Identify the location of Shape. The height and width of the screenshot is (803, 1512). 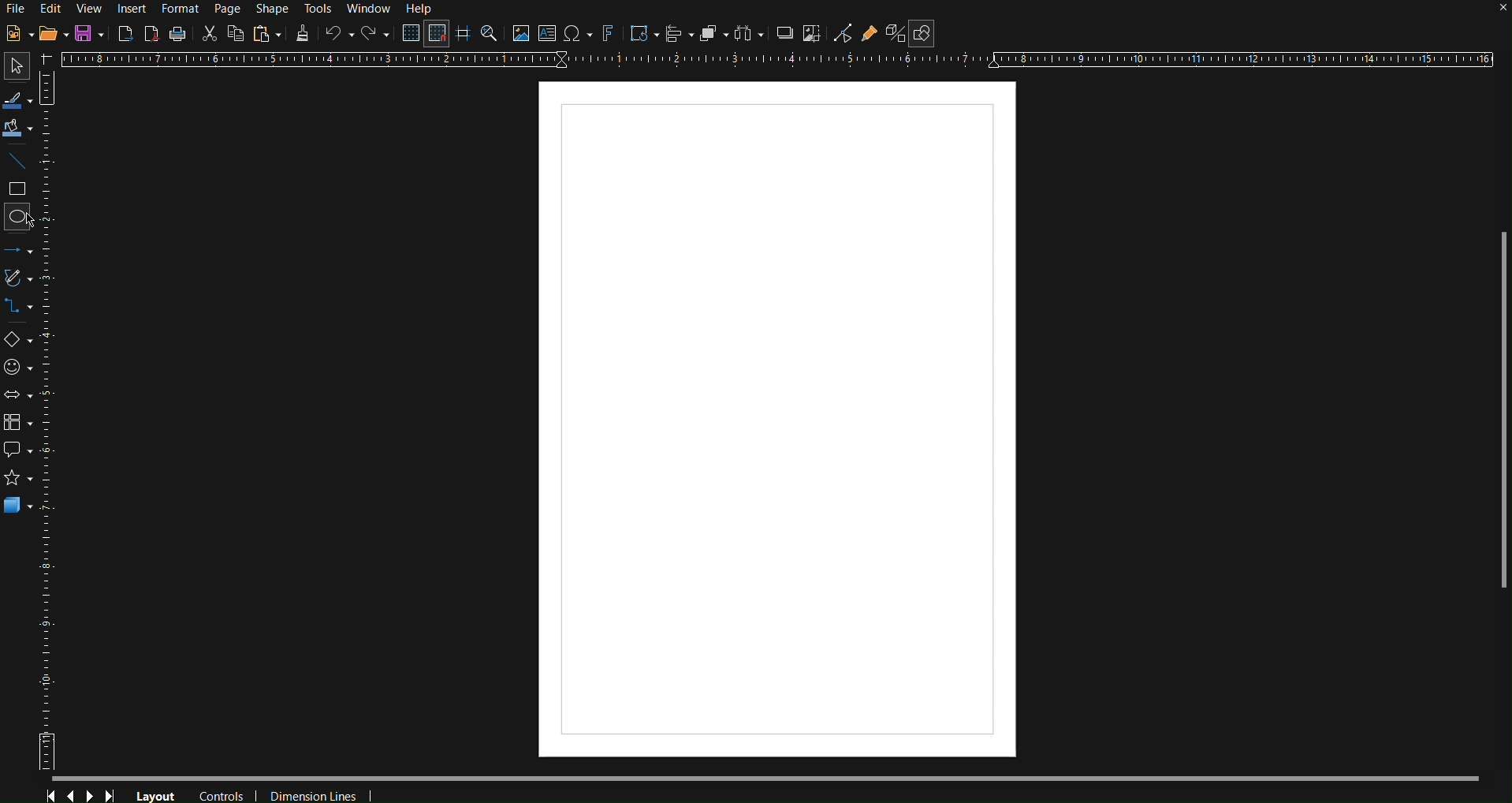
(270, 9).